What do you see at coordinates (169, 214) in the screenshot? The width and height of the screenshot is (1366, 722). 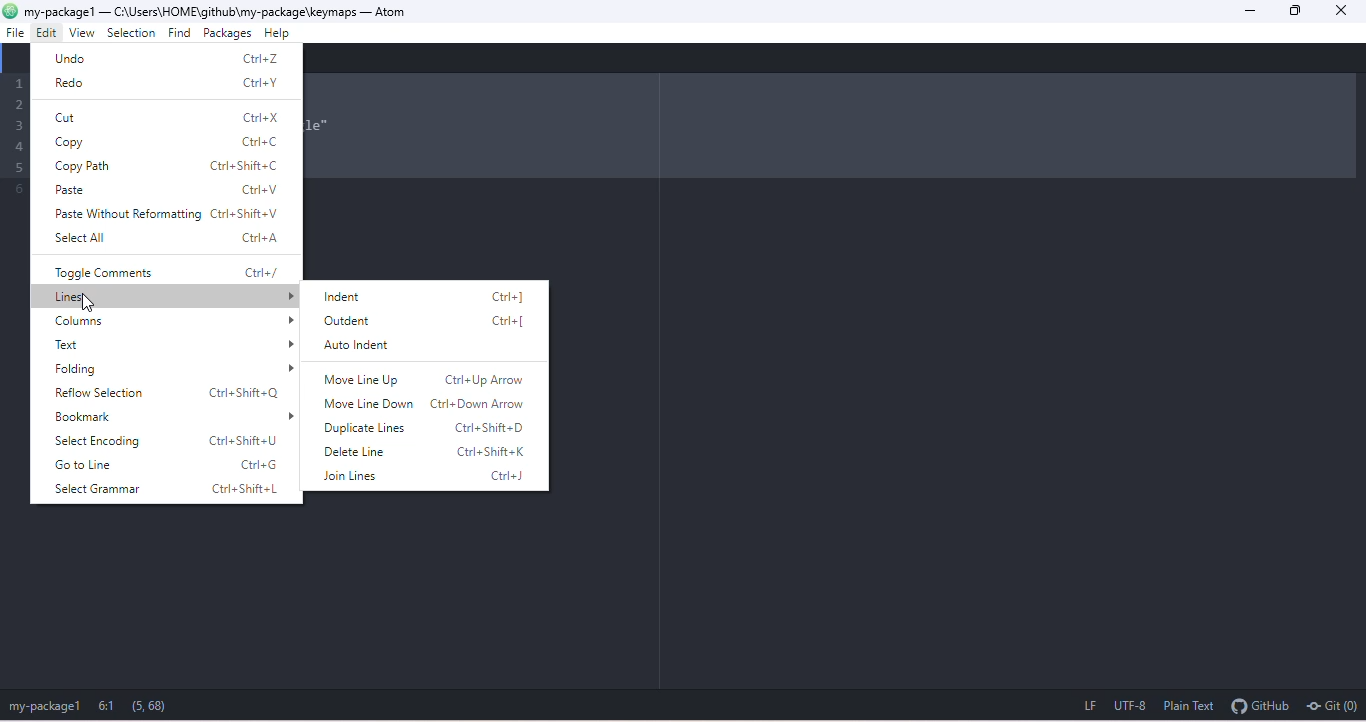 I see `paste without reforming ` at bounding box center [169, 214].